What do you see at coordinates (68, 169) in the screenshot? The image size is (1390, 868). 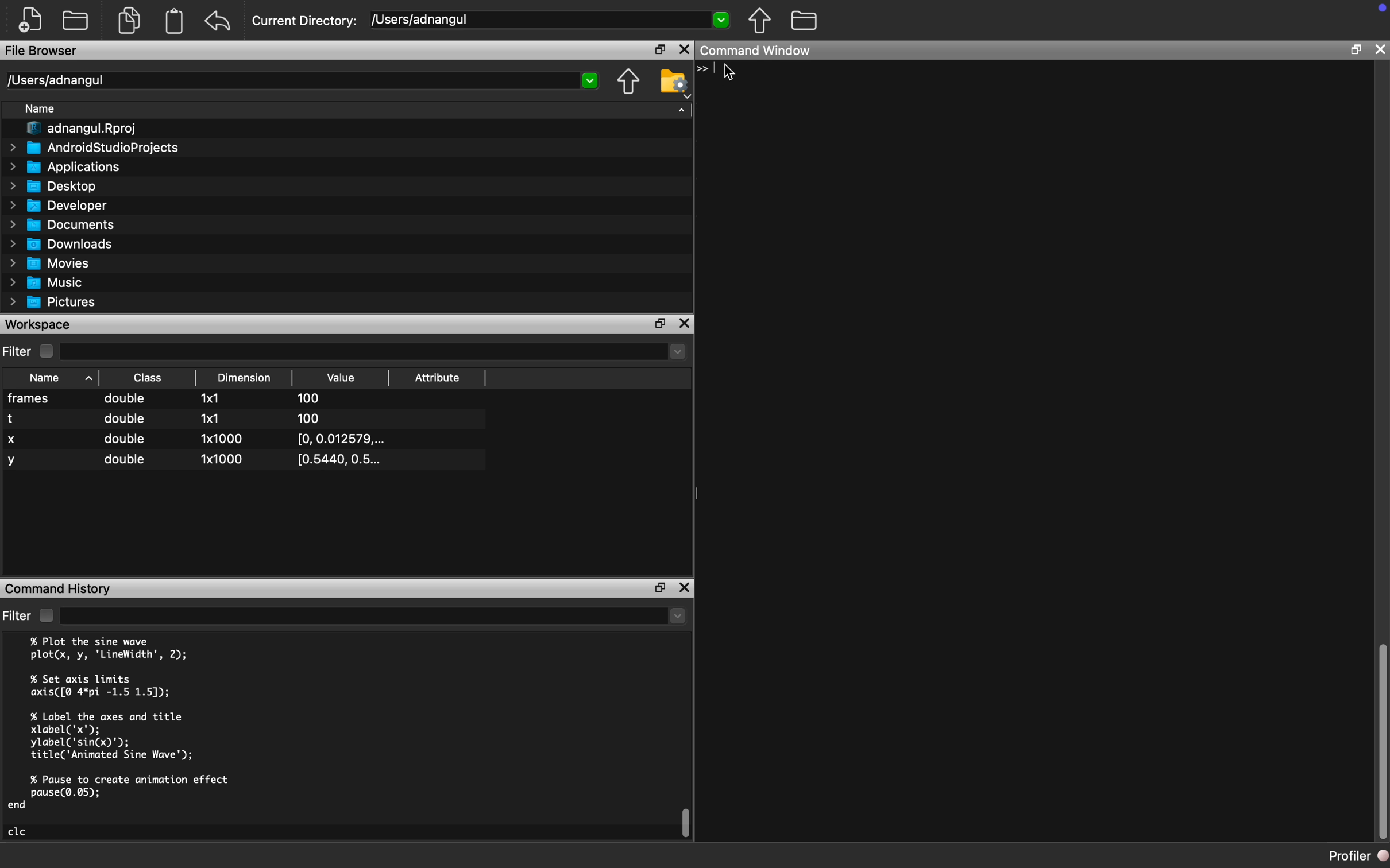 I see `Applications` at bounding box center [68, 169].